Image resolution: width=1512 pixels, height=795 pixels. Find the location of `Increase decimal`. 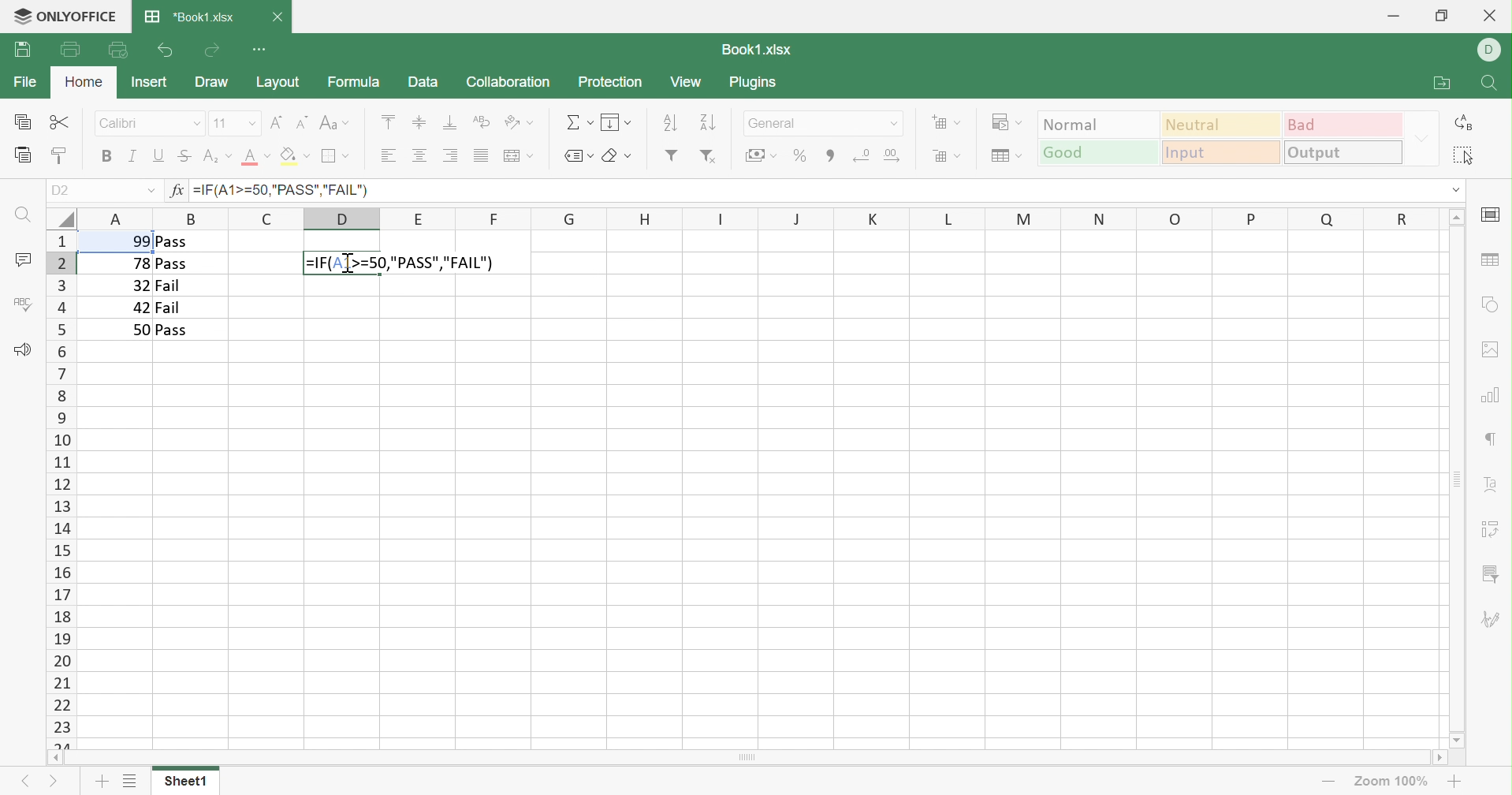

Increase decimal is located at coordinates (893, 155).